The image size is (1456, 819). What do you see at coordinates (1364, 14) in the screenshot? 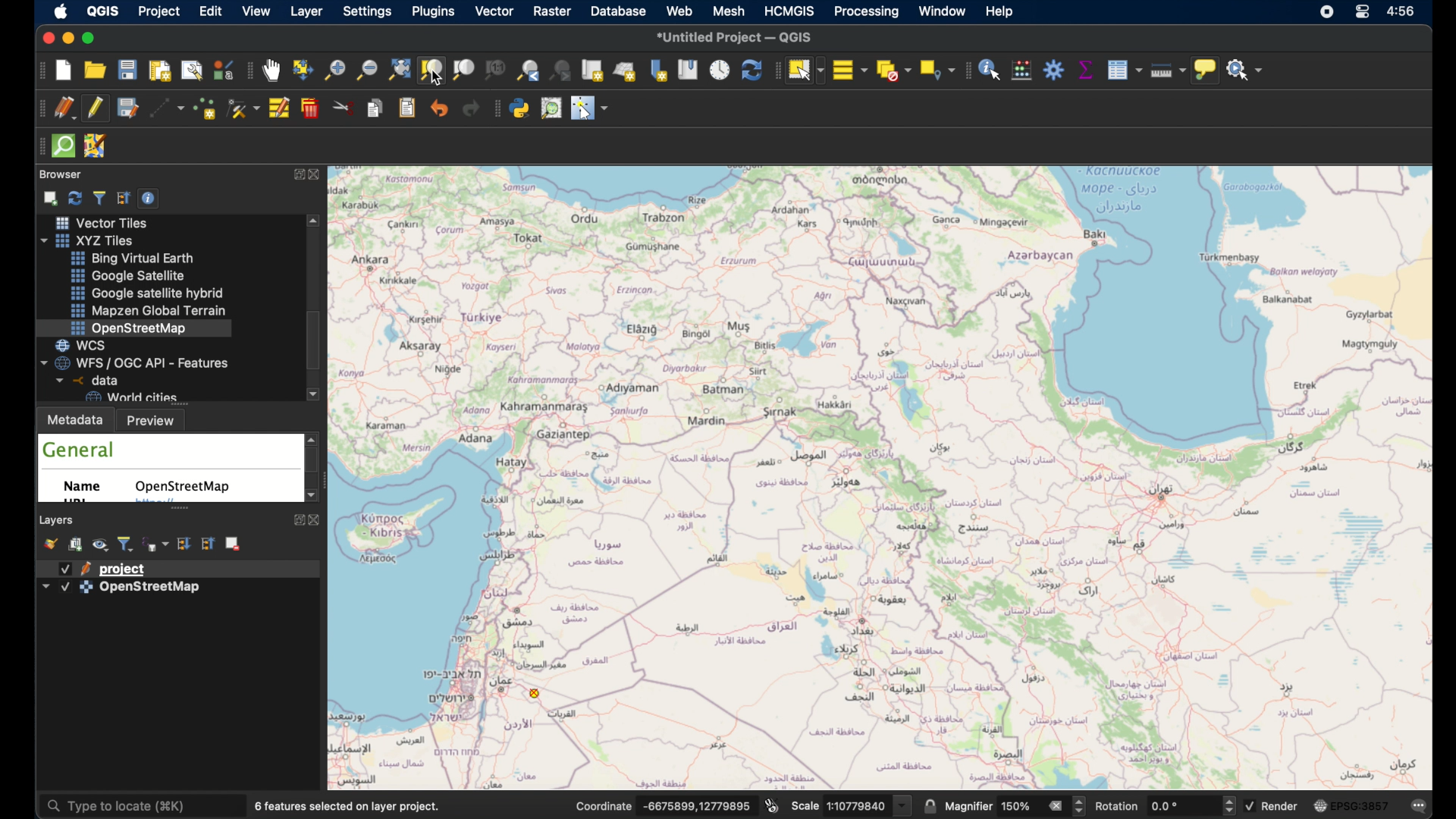
I see `control center` at bounding box center [1364, 14].